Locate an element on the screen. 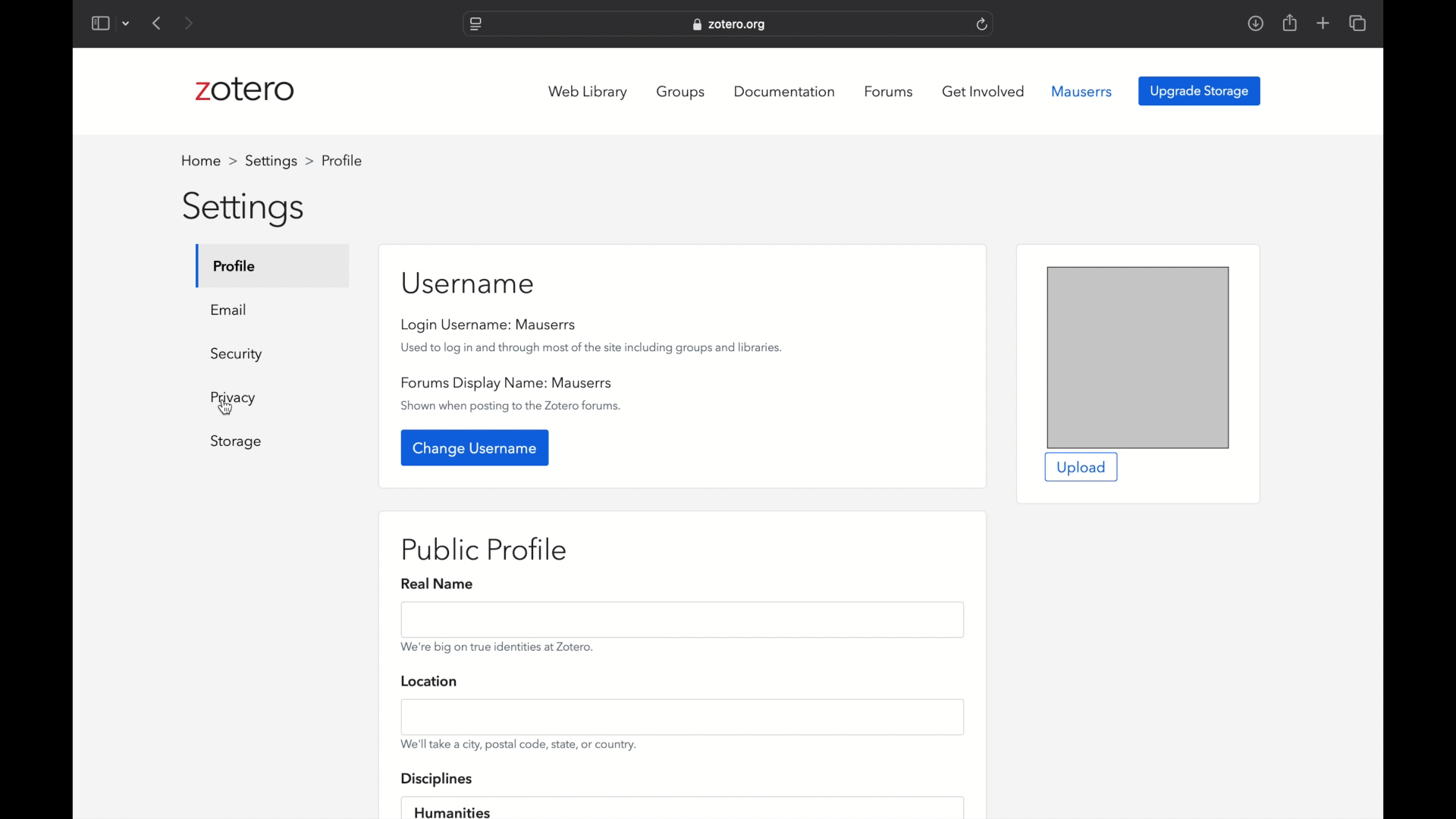 This screenshot has height=819, width=1456. get involved is located at coordinates (984, 92).